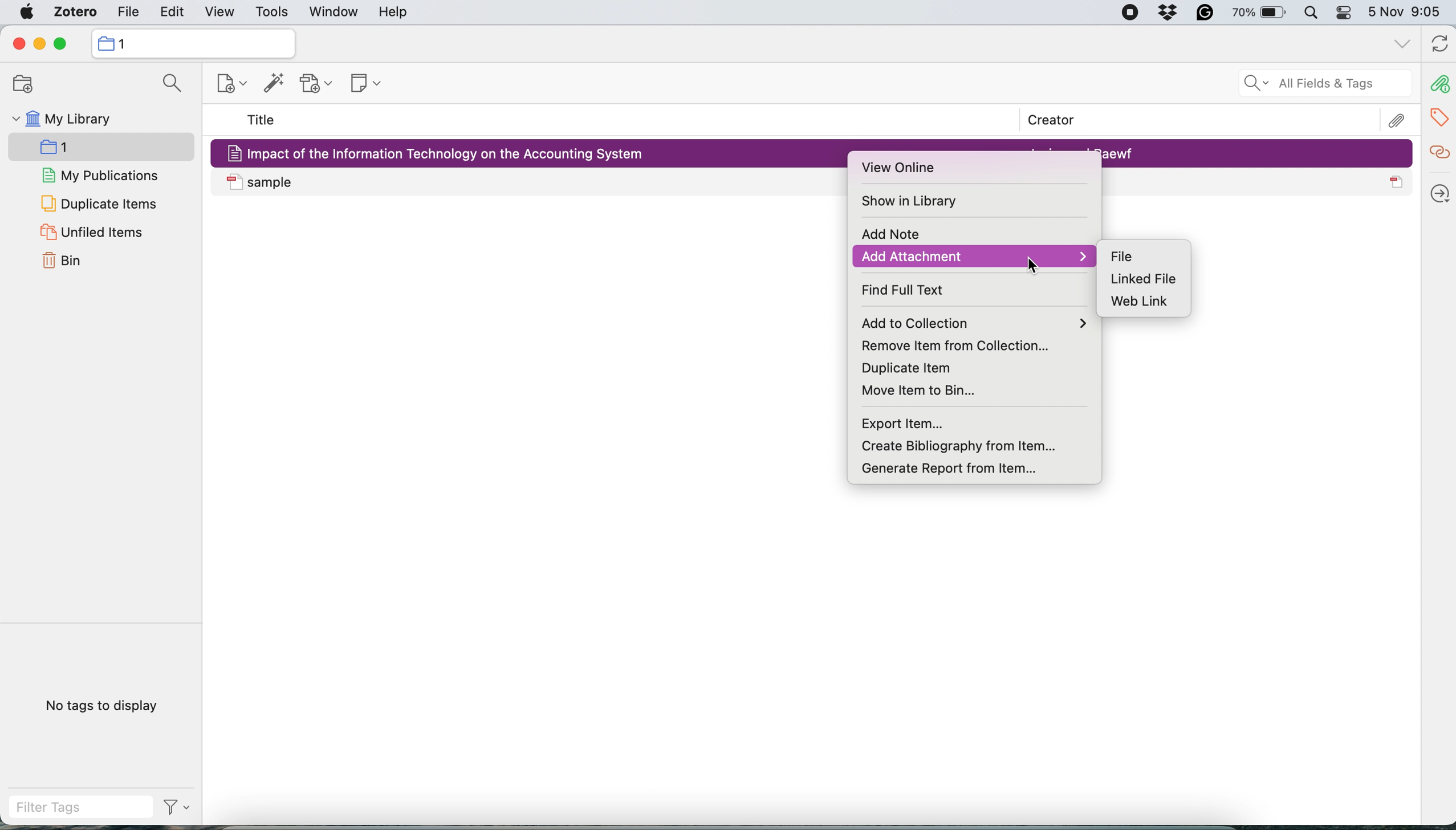 The image size is (1456, 830). What do you see at coordinates (906, 423) in the screenshot?
I see `export item` at bounding box center [906, 423].